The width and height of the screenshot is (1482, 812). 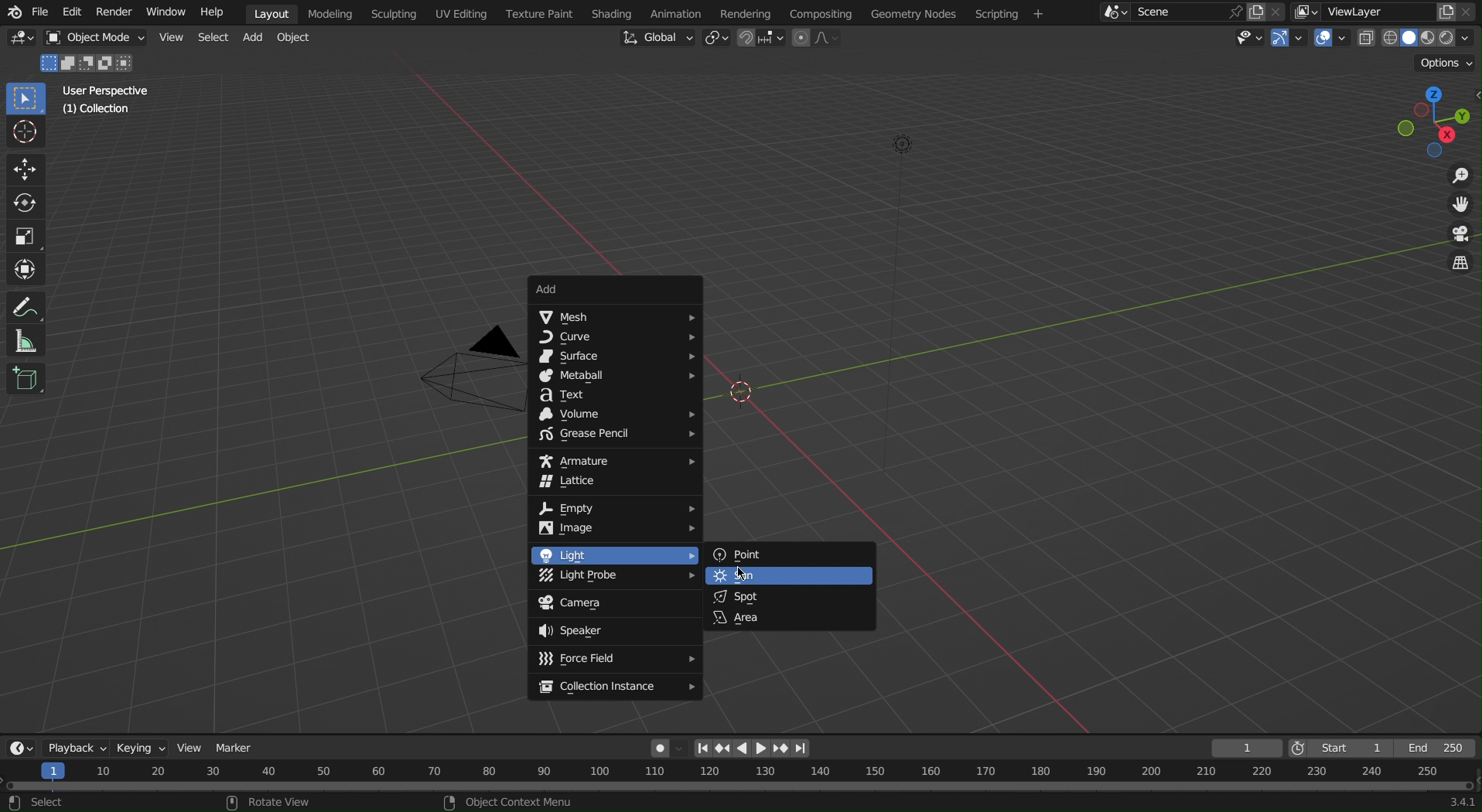 I want to click on Cursor, so click(x=27, y=133).